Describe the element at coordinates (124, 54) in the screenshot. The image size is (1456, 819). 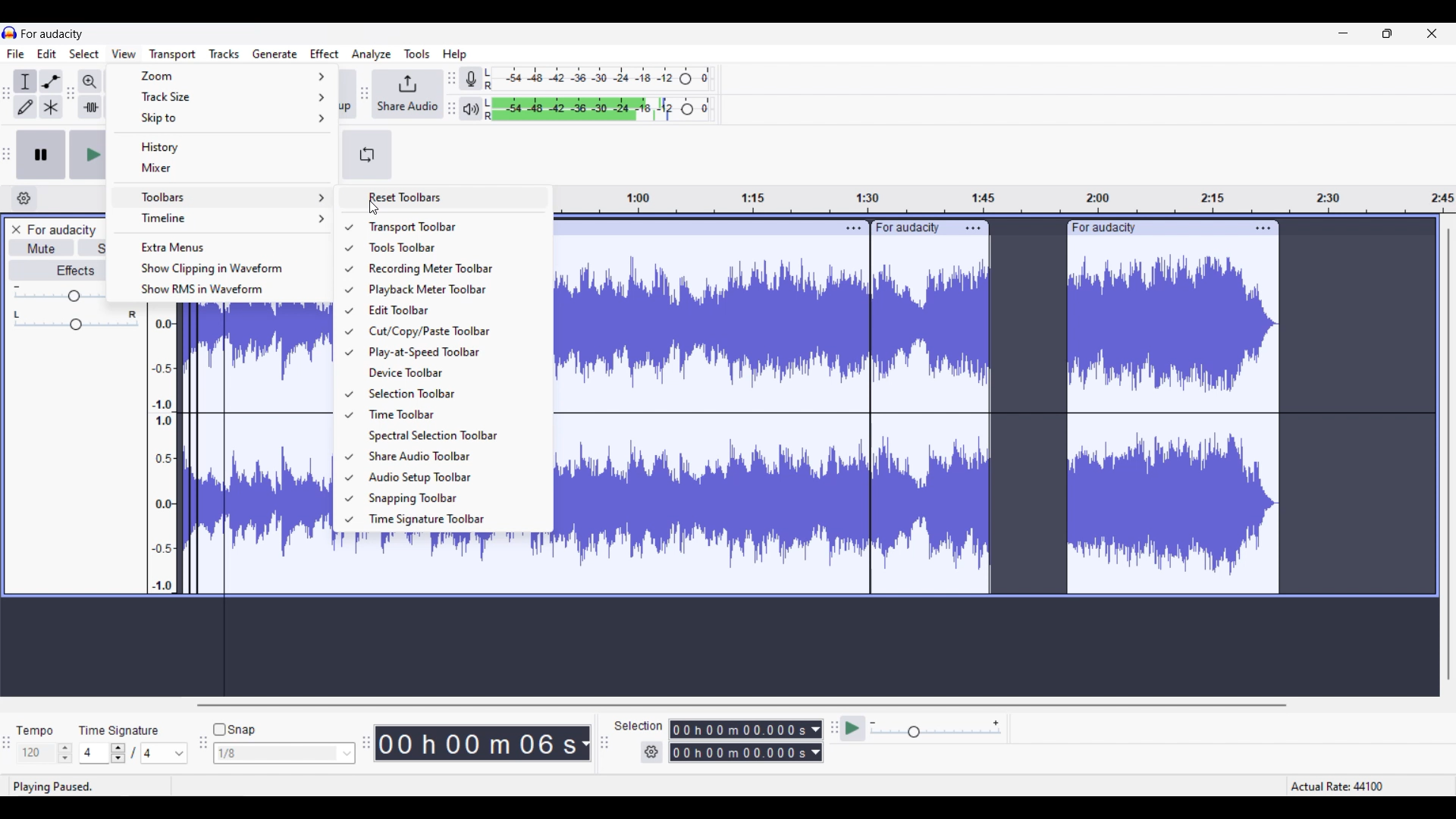
I see `View menu` at that location.